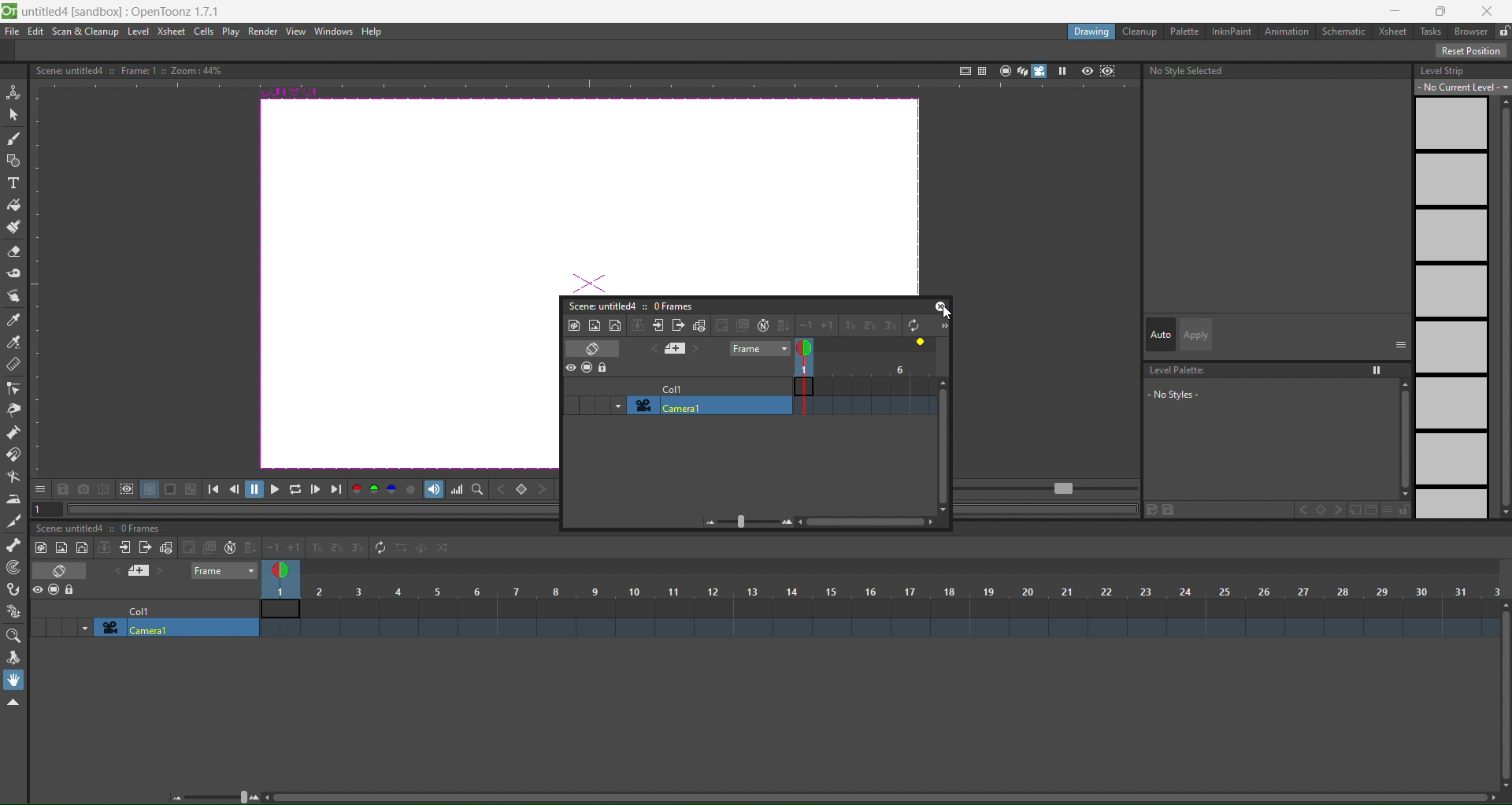  Describe the element at coordinates (15, 228) in the screenshot. I see `paint brush tool` at that location.